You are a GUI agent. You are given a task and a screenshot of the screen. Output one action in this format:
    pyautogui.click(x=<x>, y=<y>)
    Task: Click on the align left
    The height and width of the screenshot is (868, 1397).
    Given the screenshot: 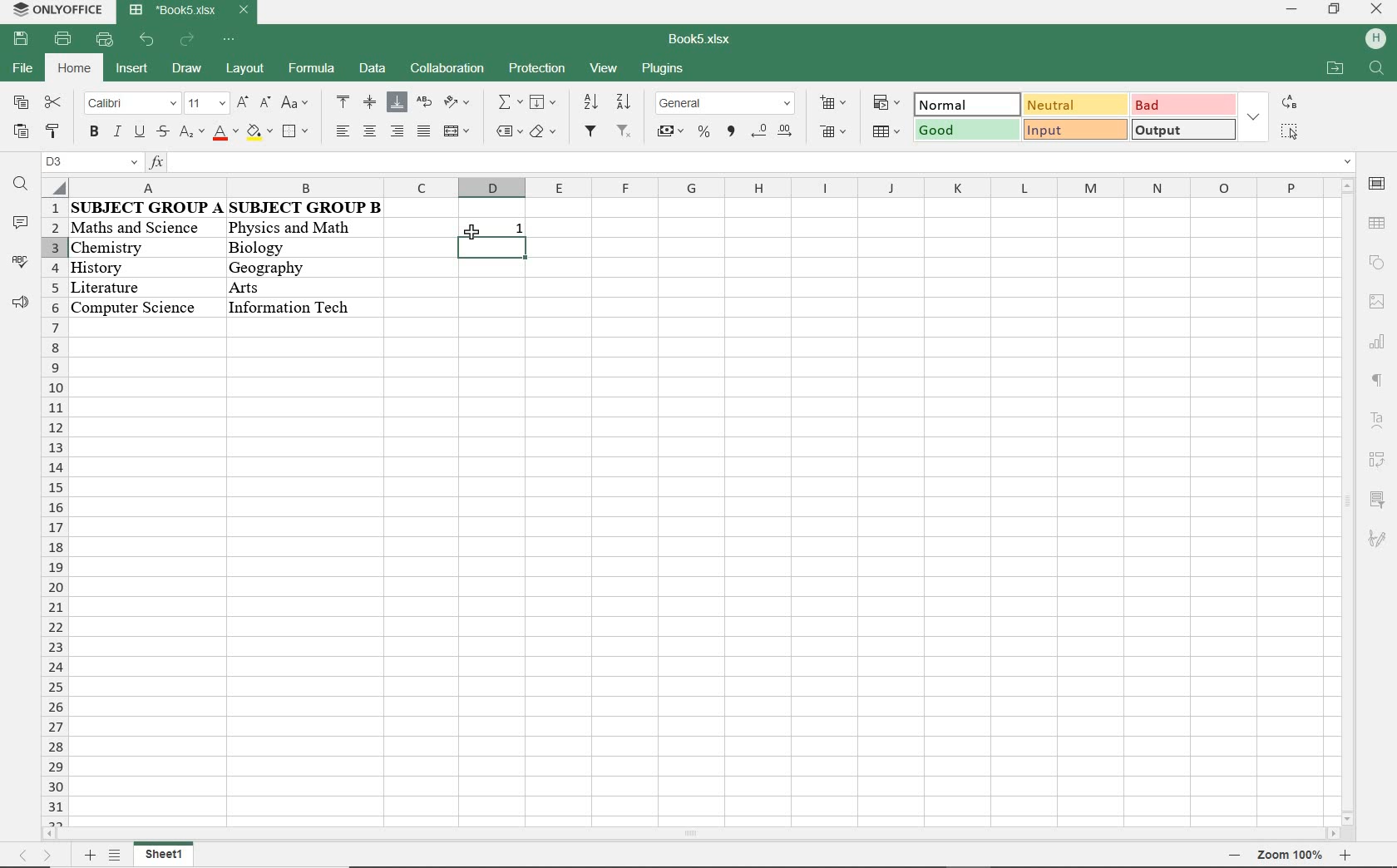 What is the action you would take?
    pyautogui.click(x=345, y=131)
    